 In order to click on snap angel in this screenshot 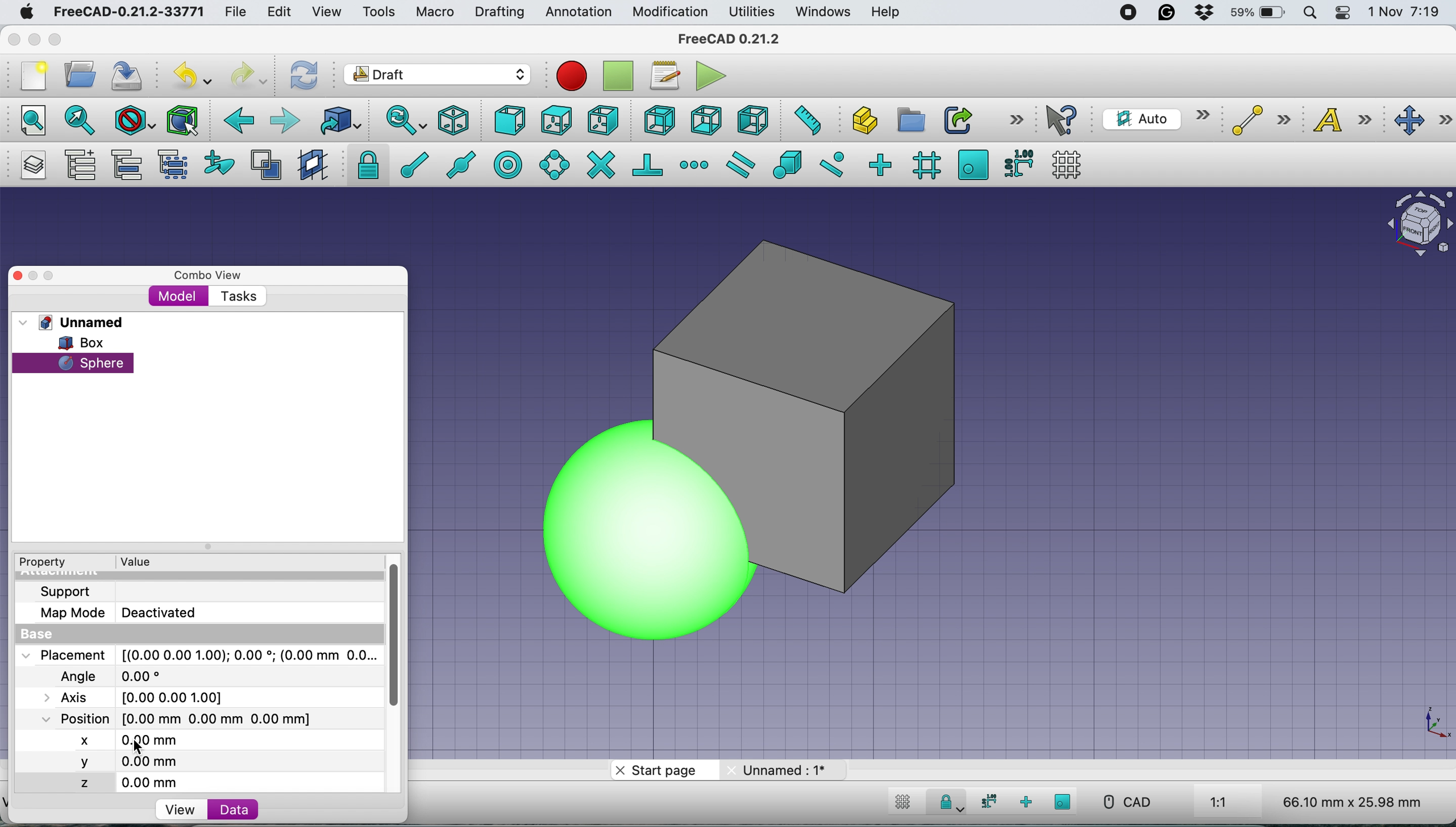, I will do `click(551, 164)`.